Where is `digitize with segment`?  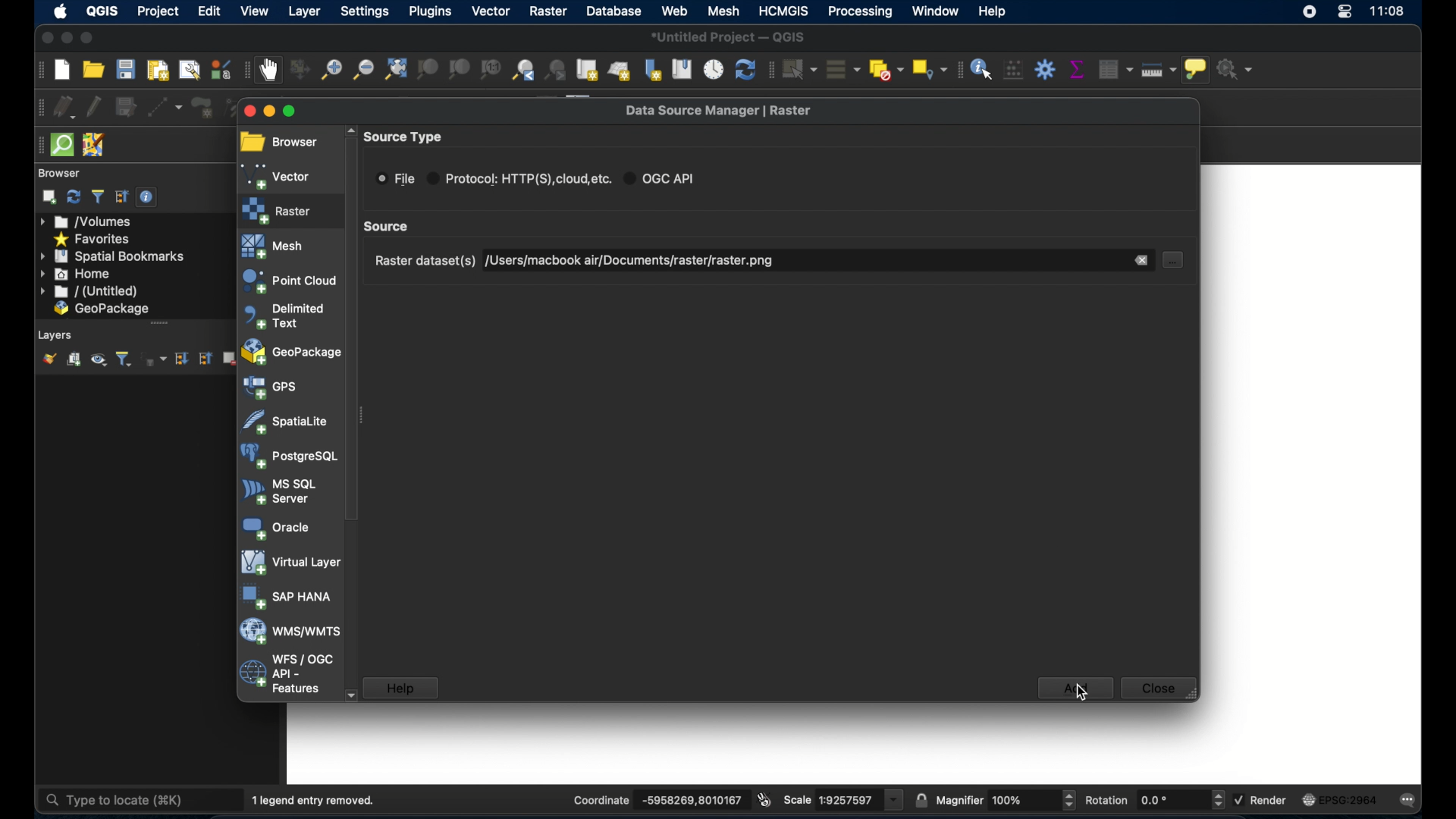 digitize with segment is located at coordinates (165, 107).